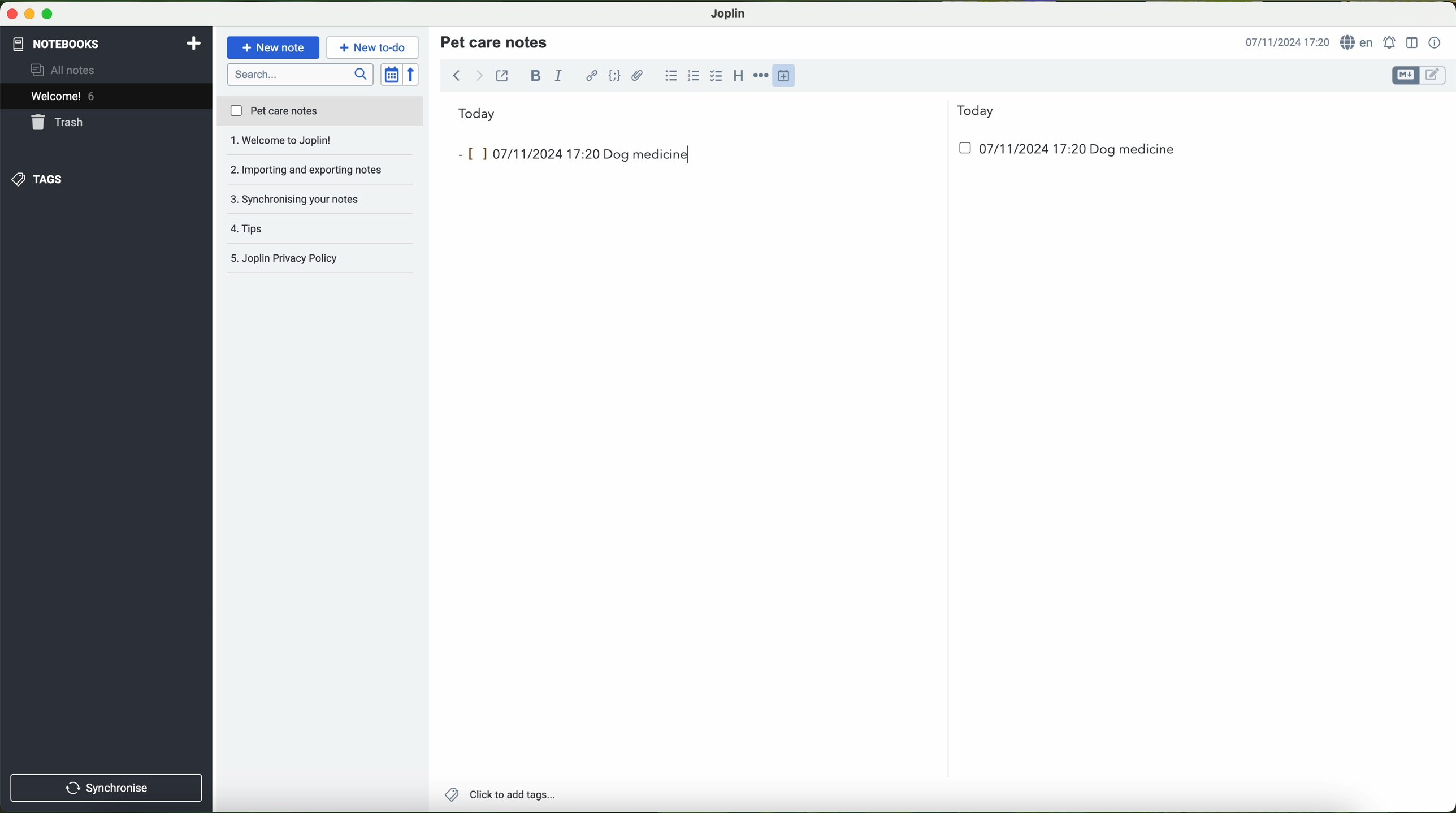  What do you see at coordinates (319, 112) in the screenshot?
I see `pet care notes file` at bounding box center [319, 112].